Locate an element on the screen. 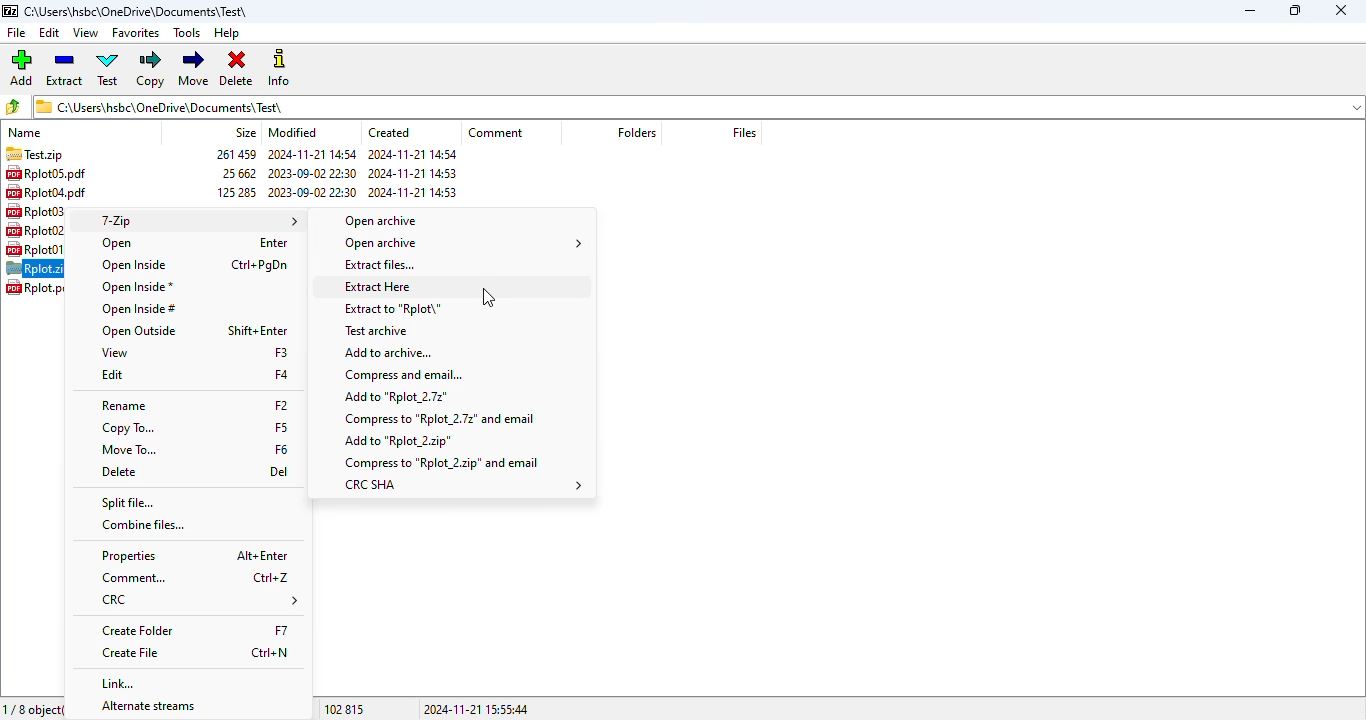  open archive is located at coordinates (465, 243).